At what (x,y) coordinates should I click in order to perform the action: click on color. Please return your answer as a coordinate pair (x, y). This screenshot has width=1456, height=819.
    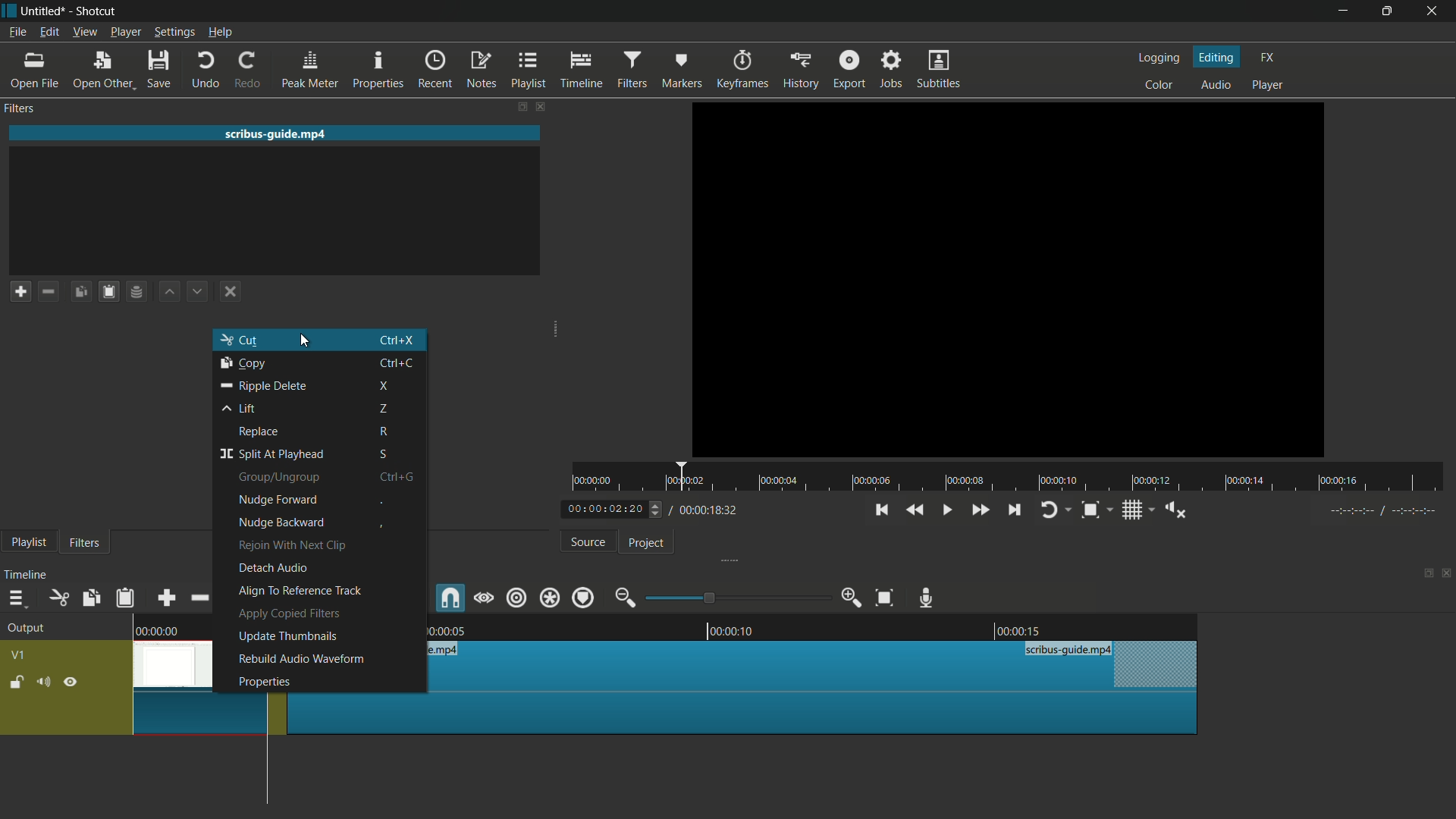
    Looking at the image, I should click on (1159, 83).